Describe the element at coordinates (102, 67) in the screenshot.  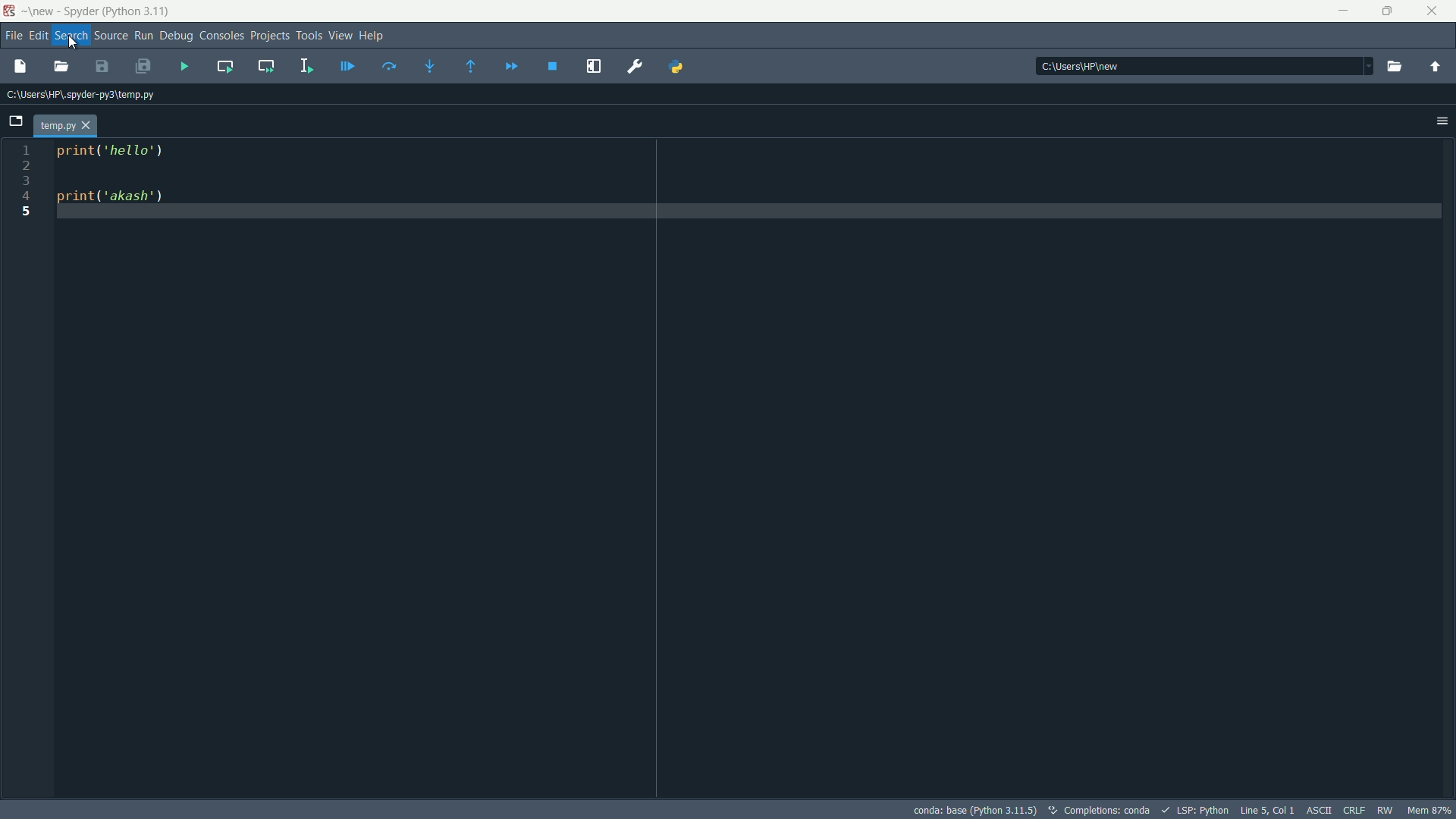
I see `save file` at that location.